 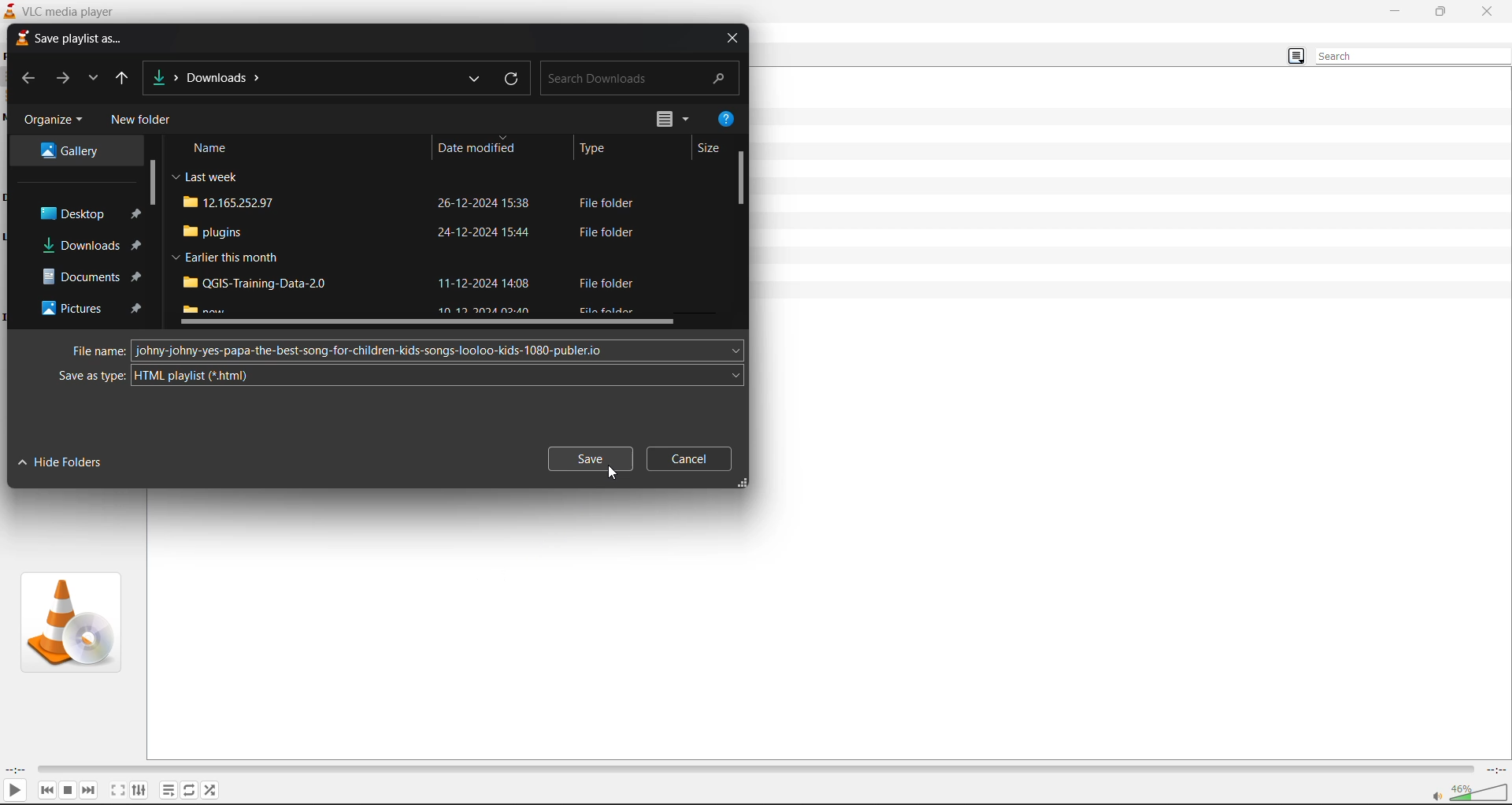 I want to click on vertical scroll bar, so click(x=152, y=183).